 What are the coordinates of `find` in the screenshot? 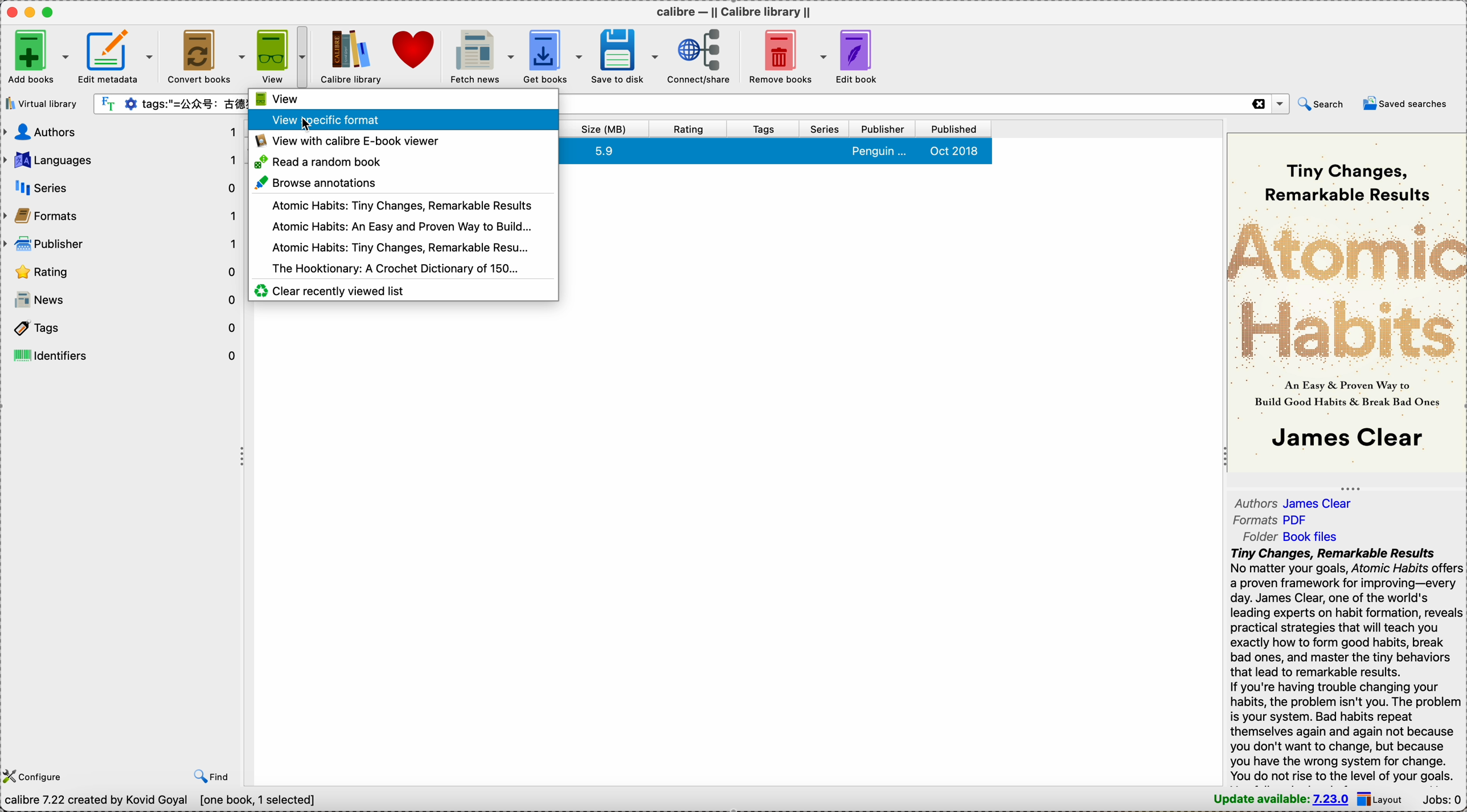 It's located at (212, 777).